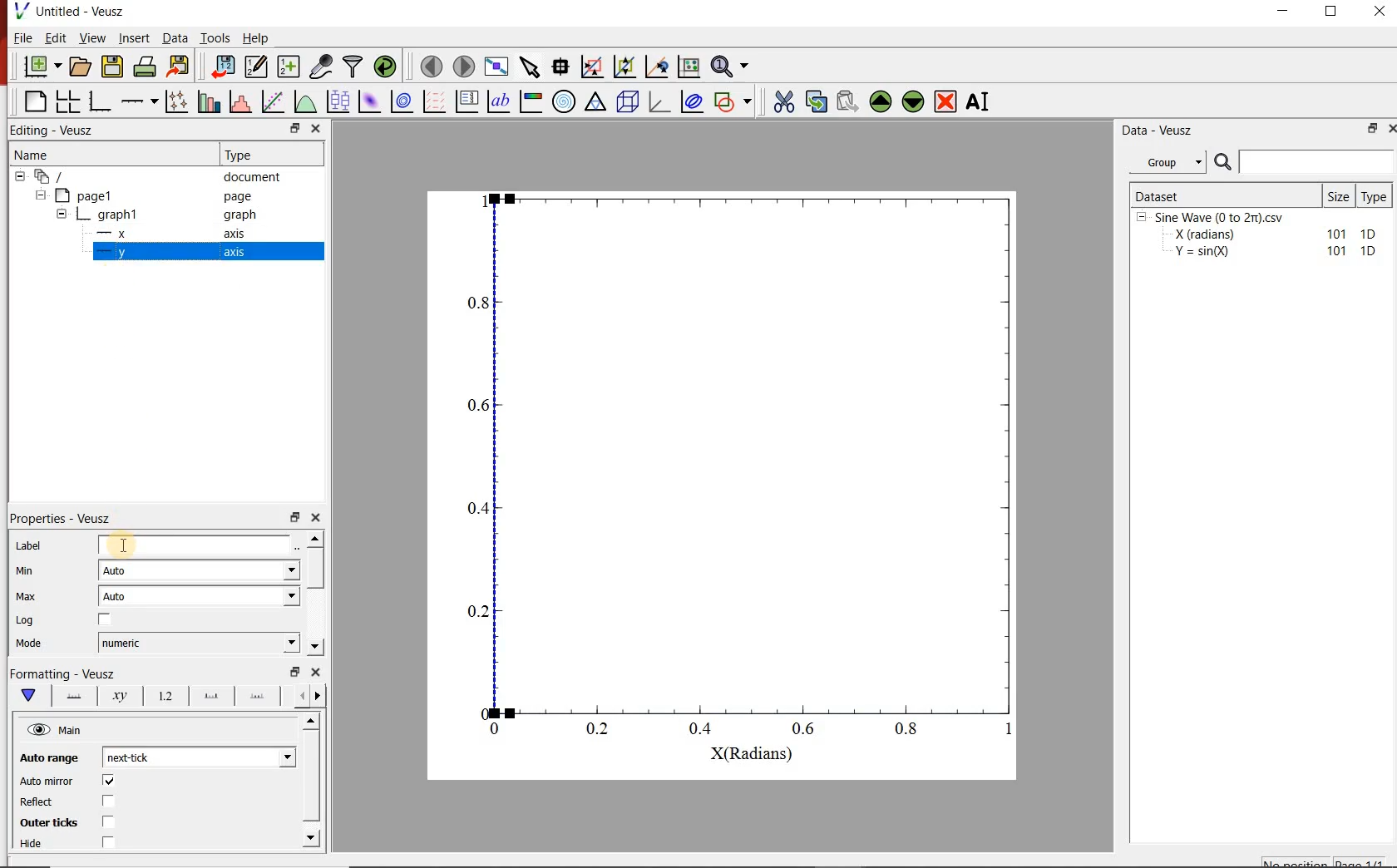 Image resolution: width=1397 pixels, height=868 pixels. I want to click on Insert, so click(135, 37).